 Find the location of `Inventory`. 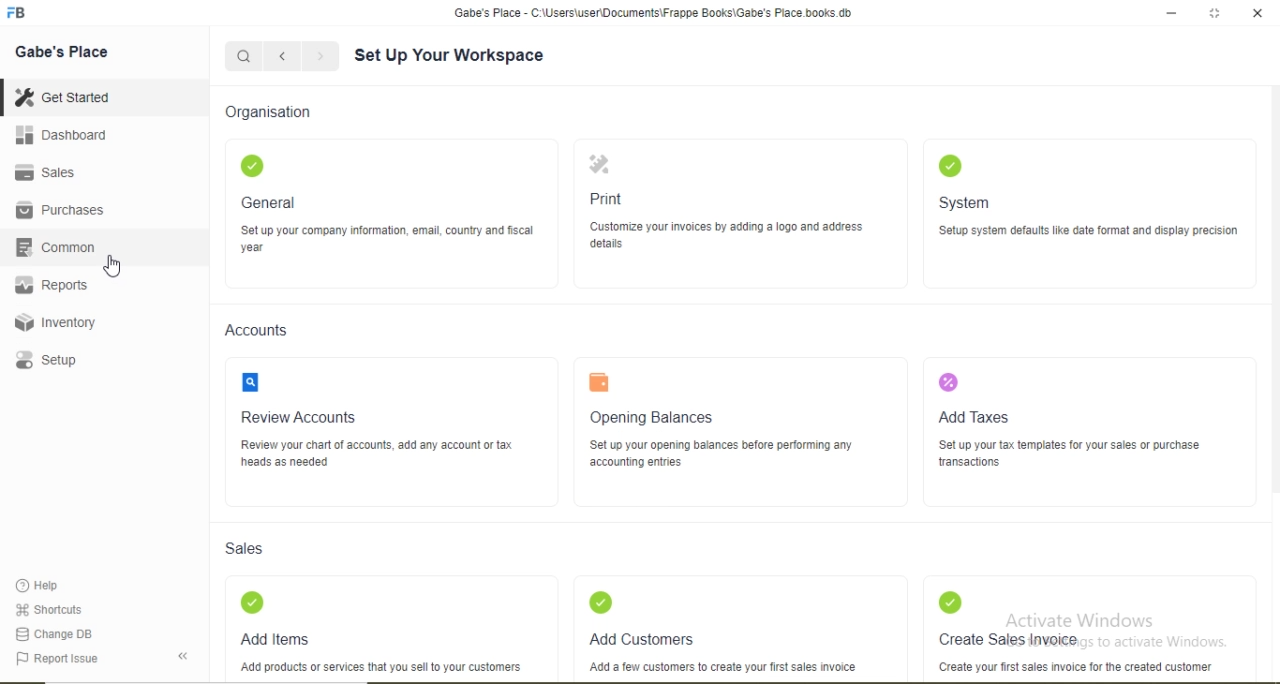

Inventory is located at coordinates (55, 322).